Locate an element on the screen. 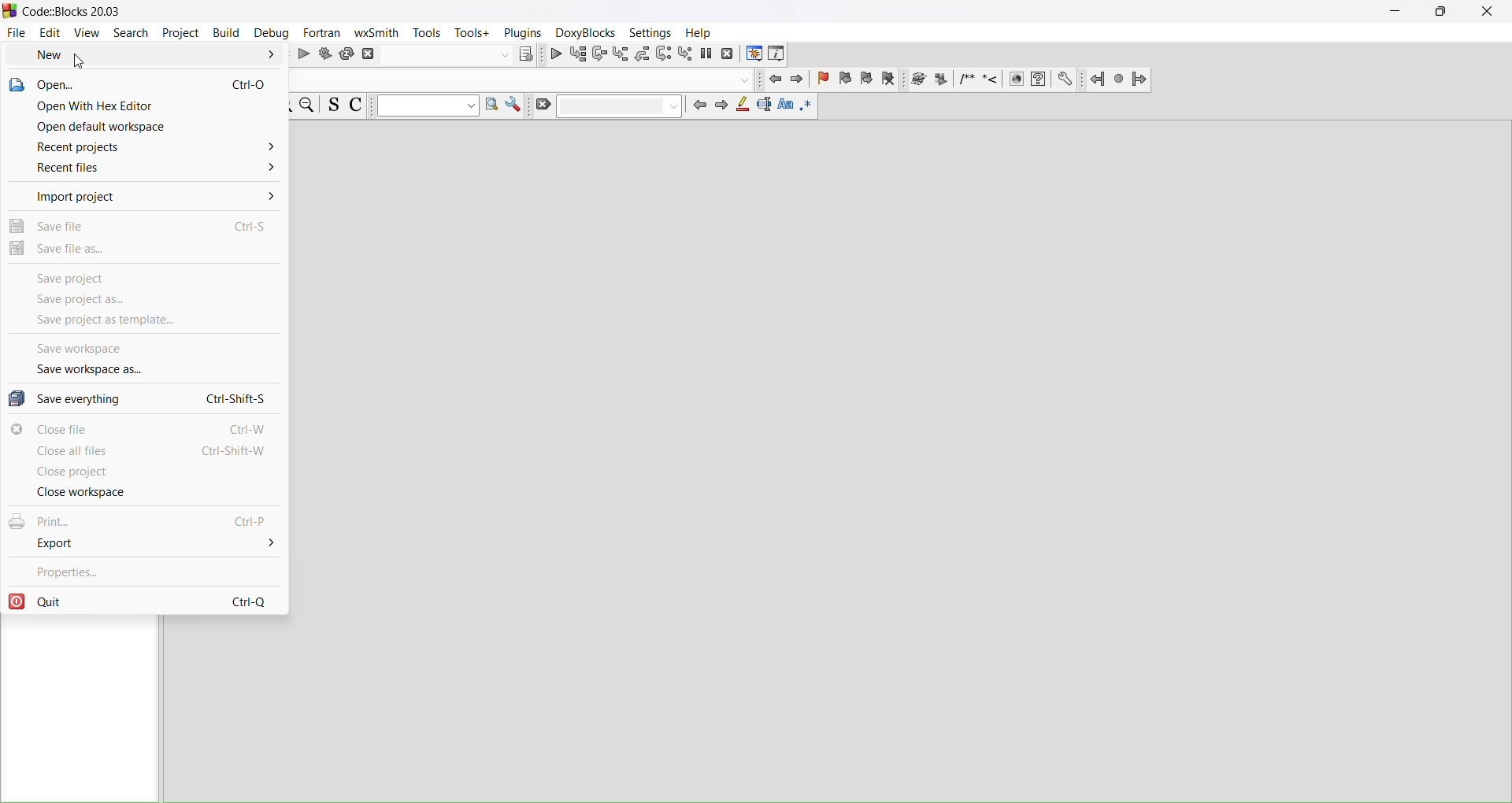  cursor is located at coordinates (81, 64).